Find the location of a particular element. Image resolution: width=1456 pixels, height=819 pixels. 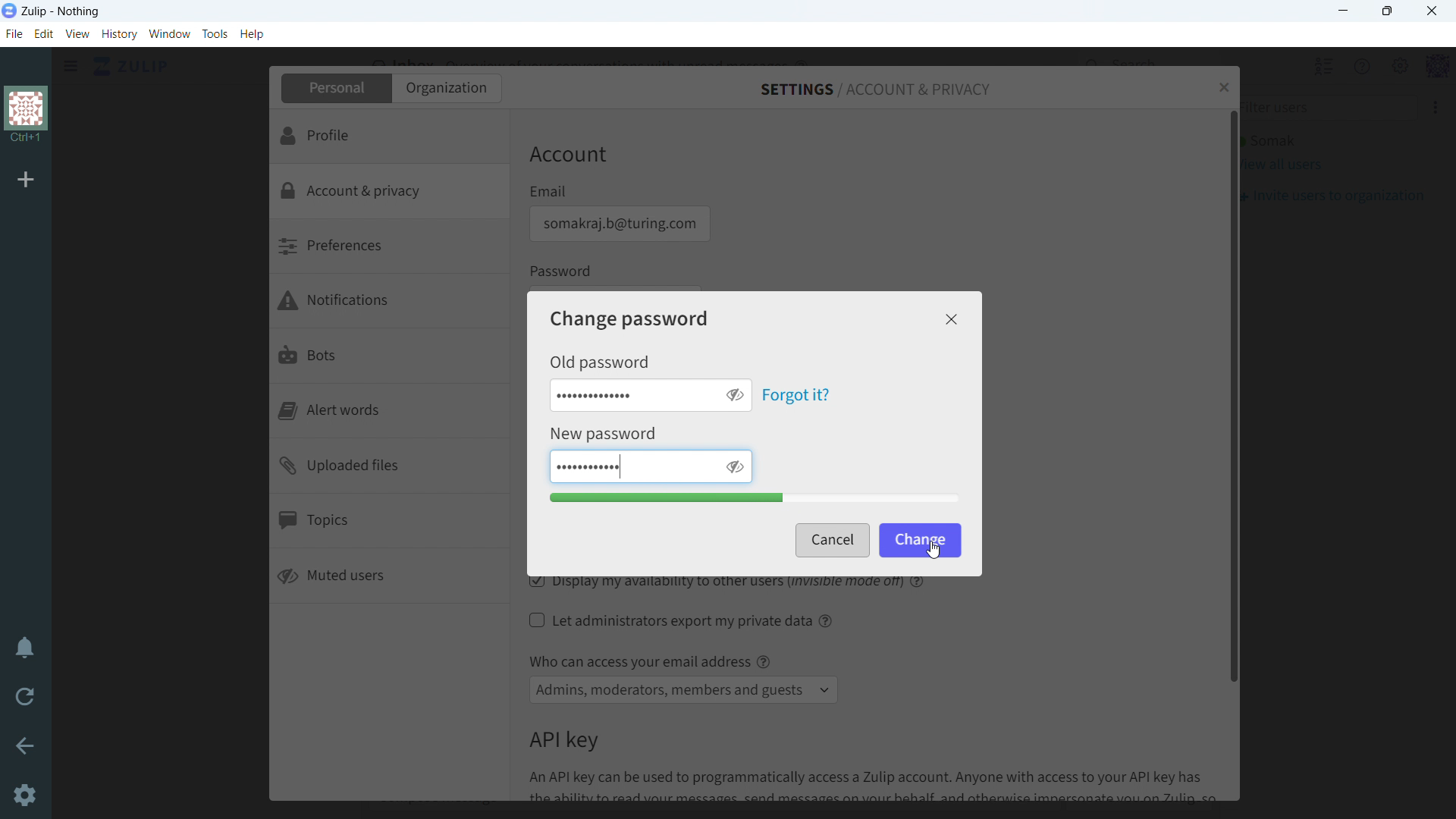

topics is located at coordinates (390, 523).